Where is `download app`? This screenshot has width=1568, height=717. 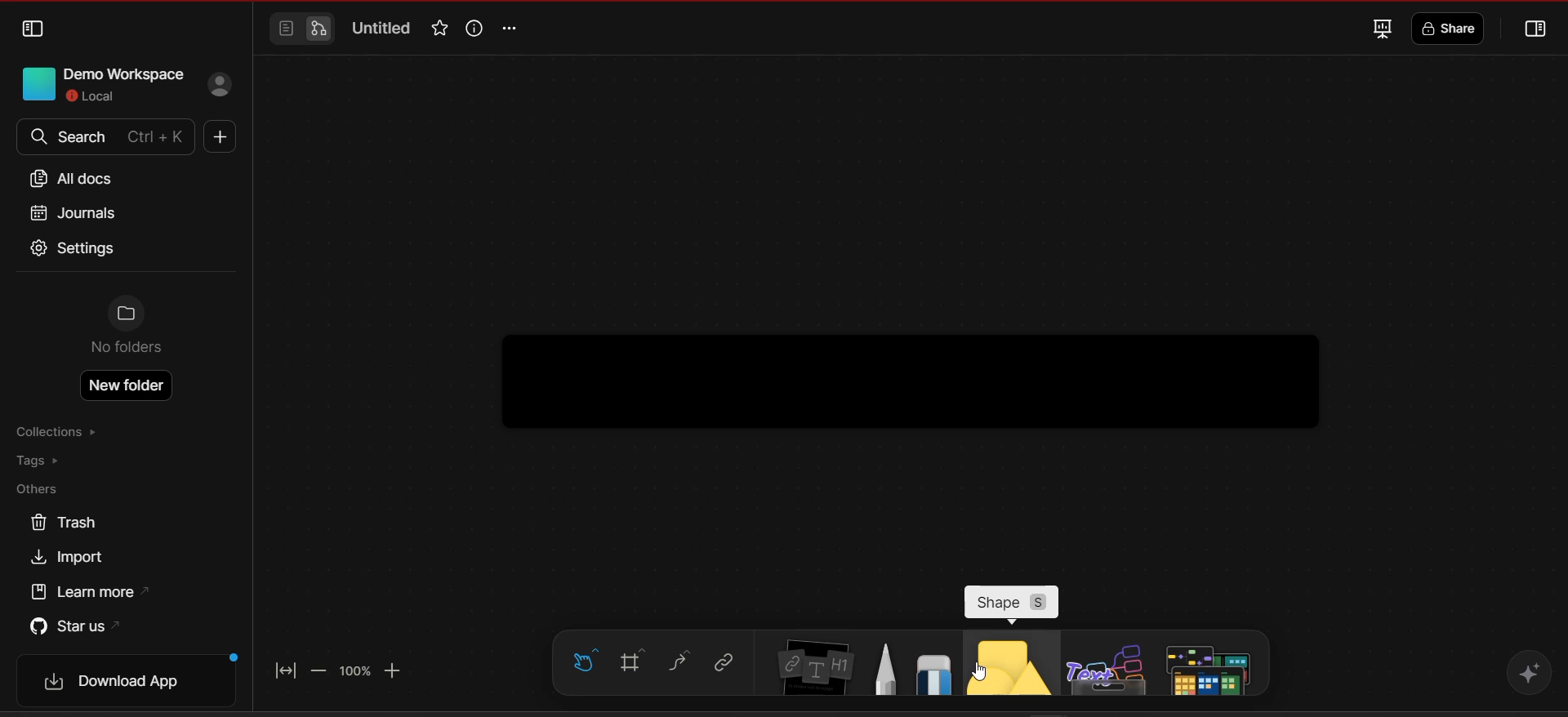
download app is located at coordinates (132, 681).